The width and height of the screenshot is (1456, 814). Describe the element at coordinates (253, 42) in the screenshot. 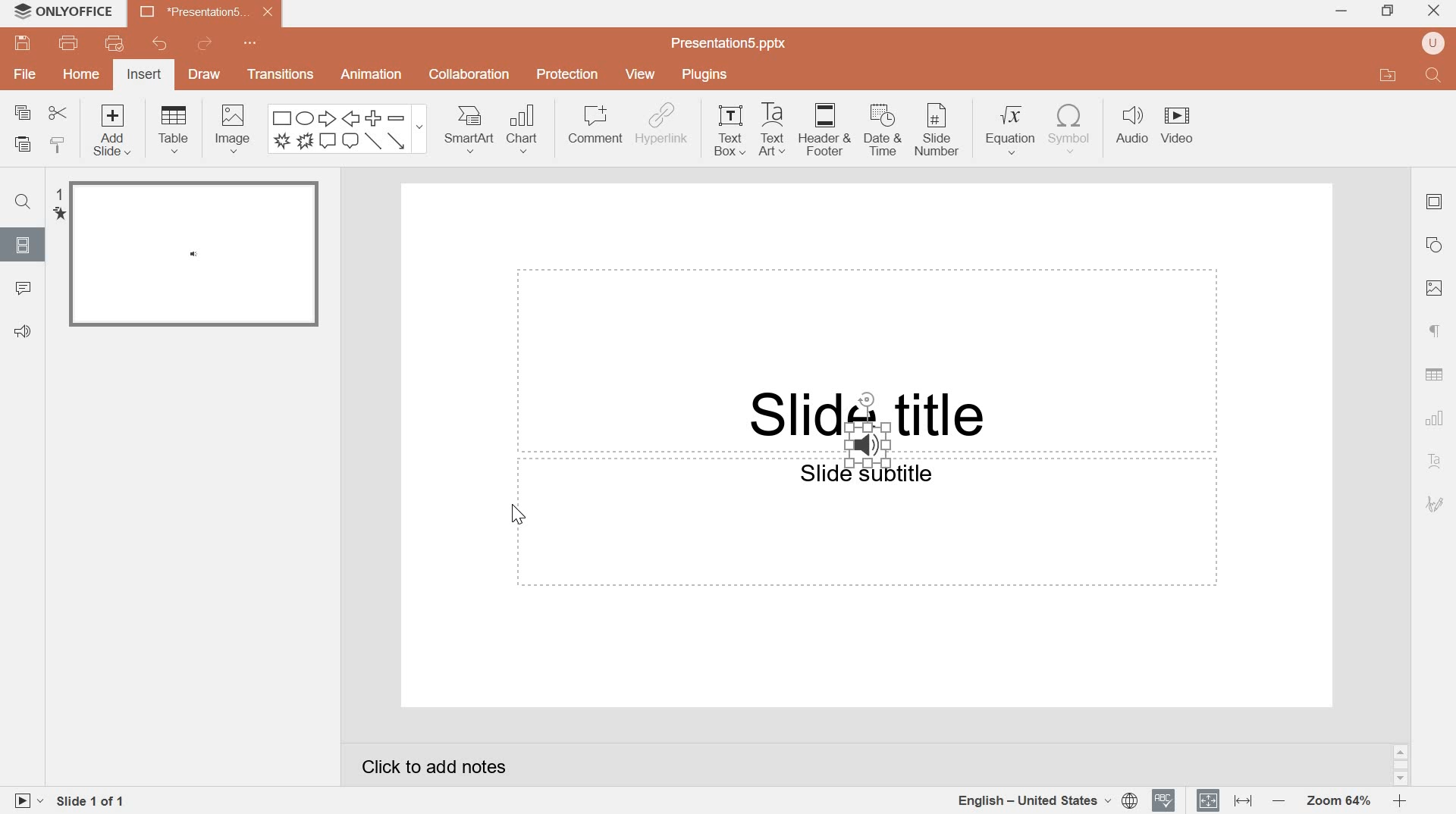

I see `customize quick access toolbar` at that location.